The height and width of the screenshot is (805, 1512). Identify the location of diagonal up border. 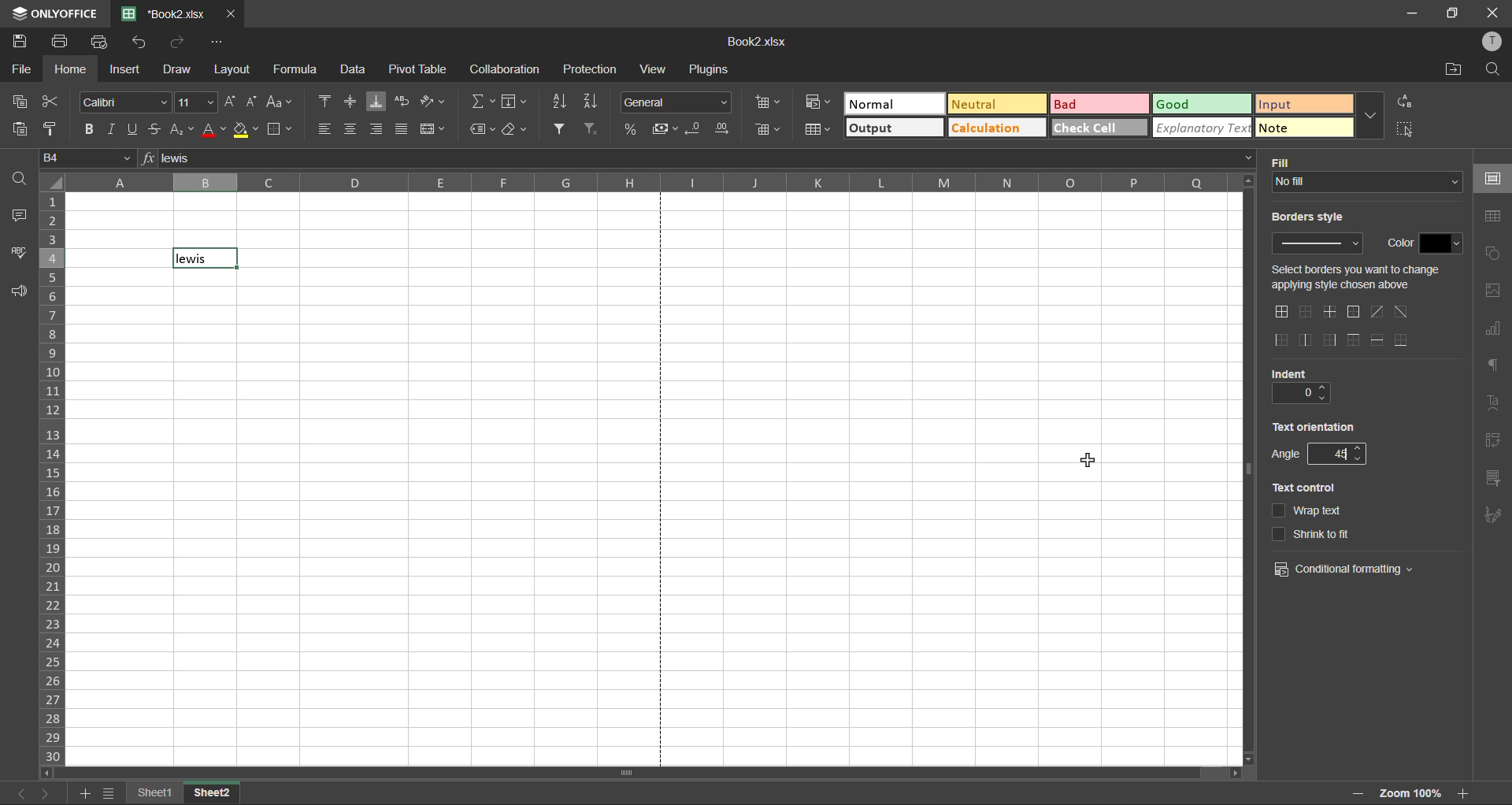
(1374, 313).